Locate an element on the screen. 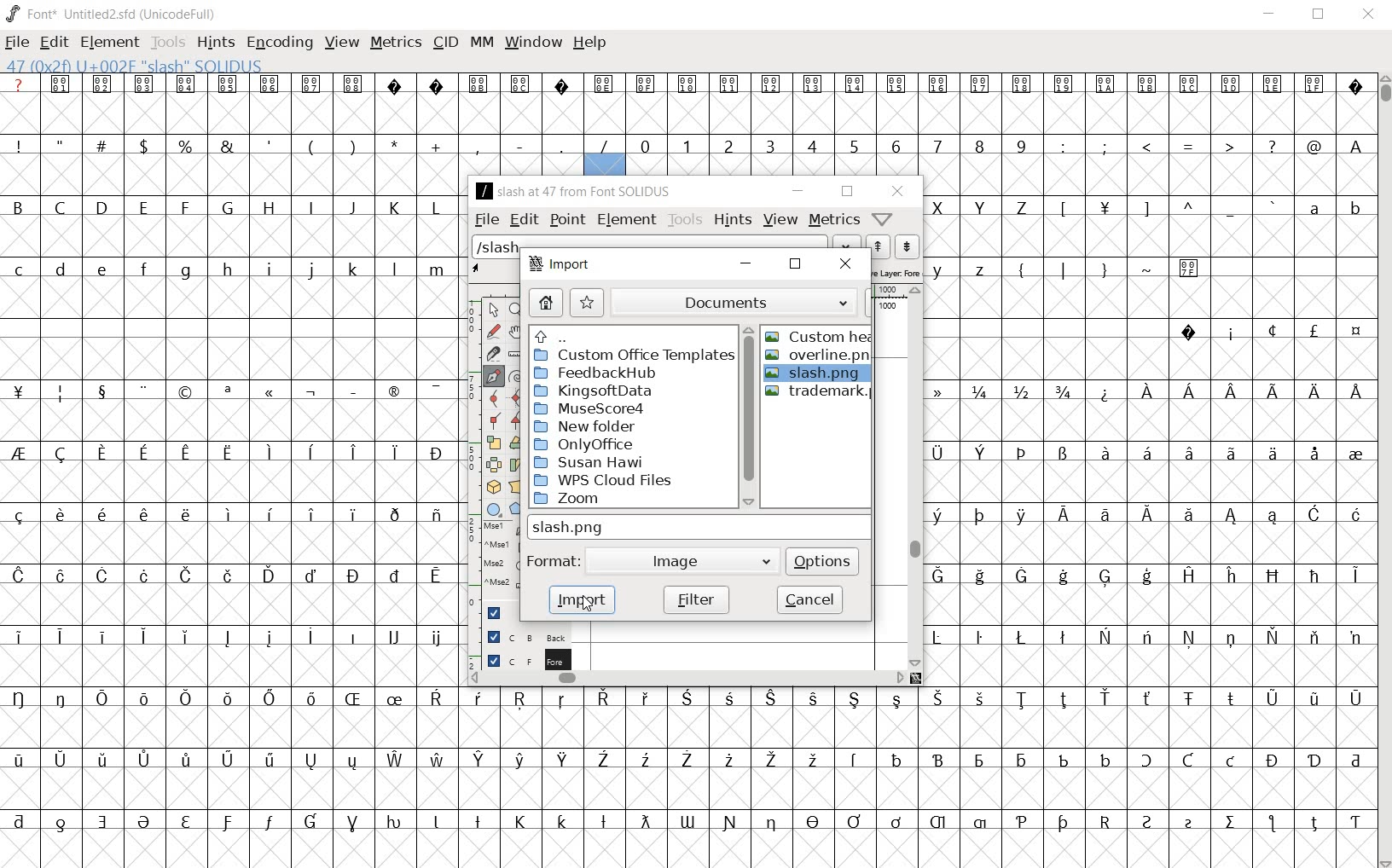  TOOLS is located at coordinates (167, 43).